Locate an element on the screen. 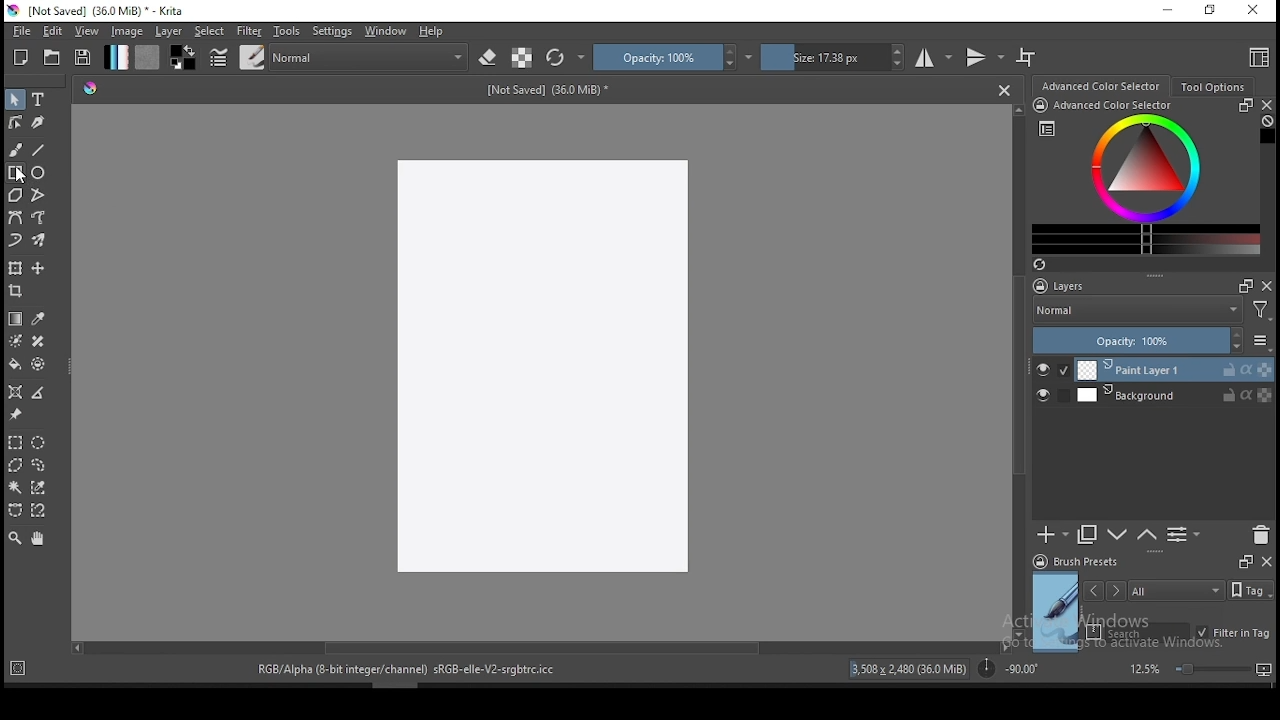 This screenshot has height=720, width=1280. set eraser mode is located at coordinates (490, 58).